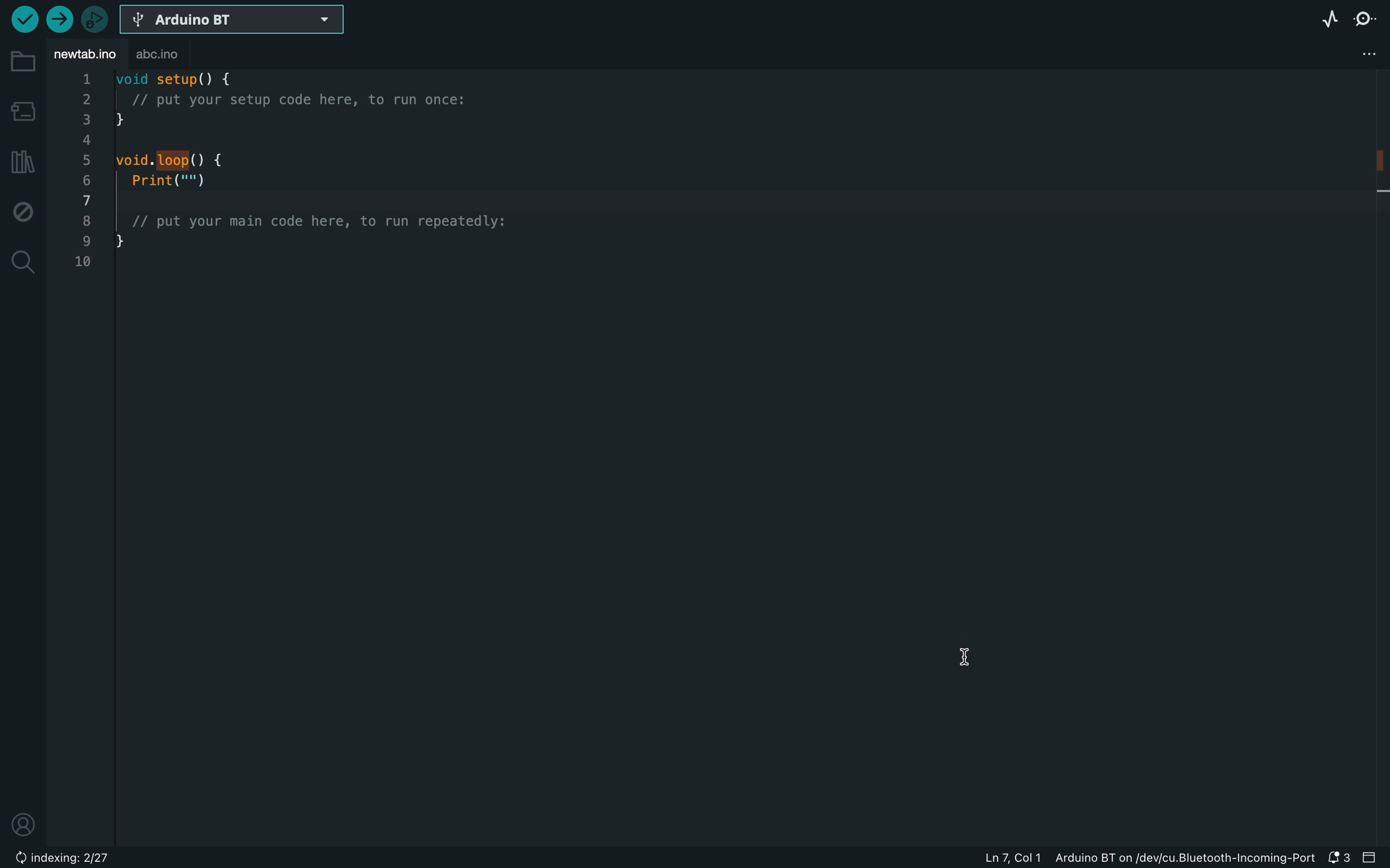 Image resolution: width=1390 pixels, height=868 pixels. Describe the element at coordinates (1370, 21) in the screenshot. I see `serial monitor` at that location.